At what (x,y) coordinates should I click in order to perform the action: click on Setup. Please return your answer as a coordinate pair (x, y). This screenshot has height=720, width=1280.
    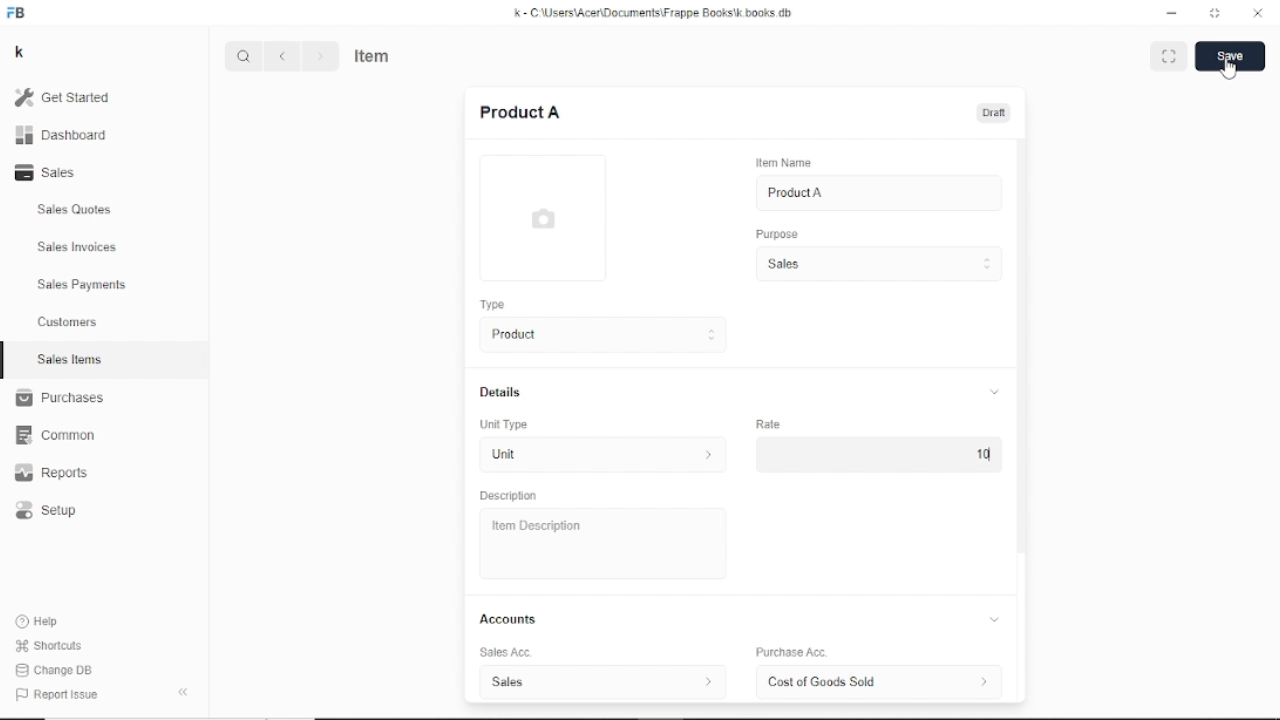
    Looking at the image, I should click on (47, 511).